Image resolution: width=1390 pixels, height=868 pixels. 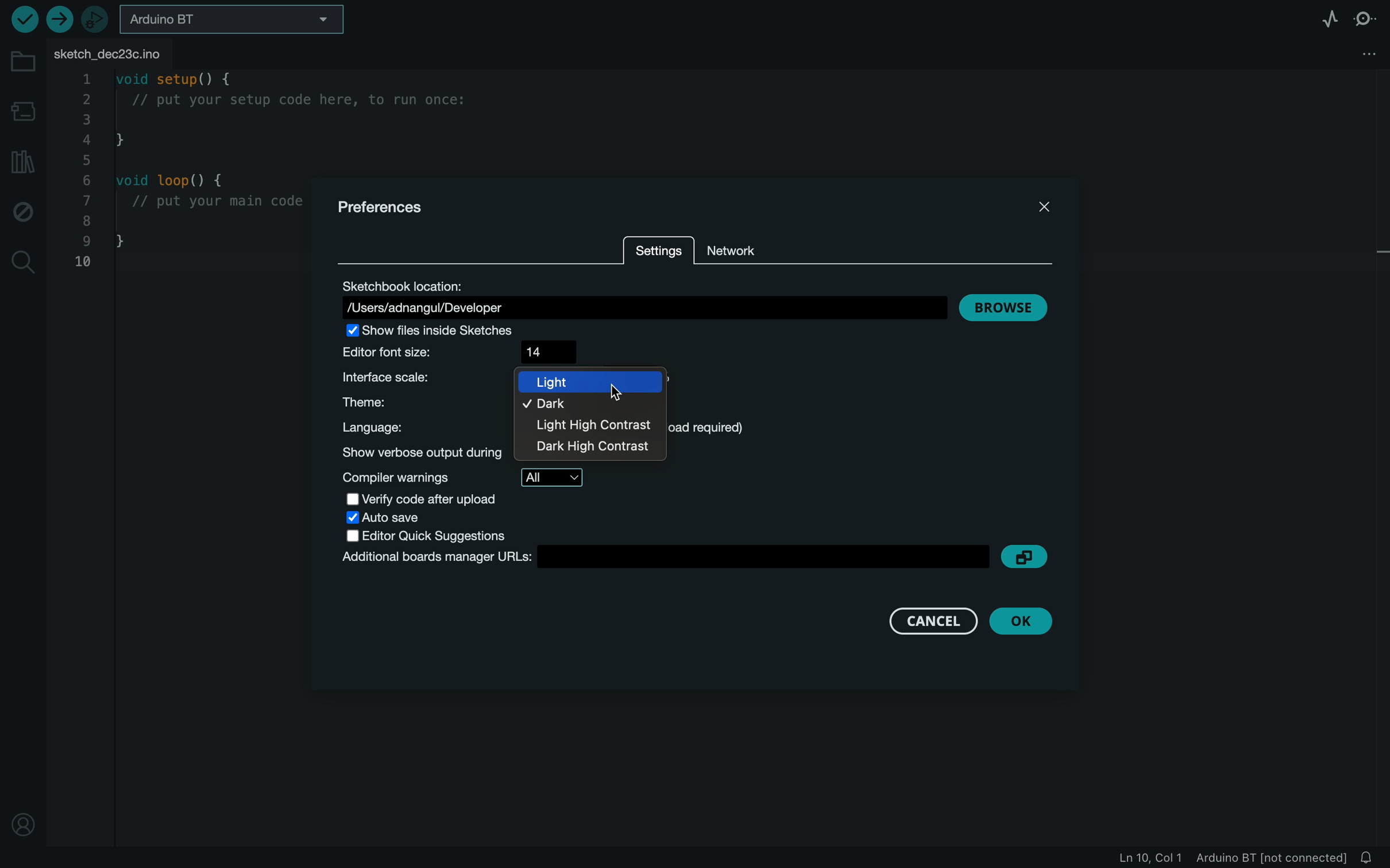 What do you see at coordinates (1025, 557) in the screenshot?
I see `copy` at bounding box center [1025, 557].